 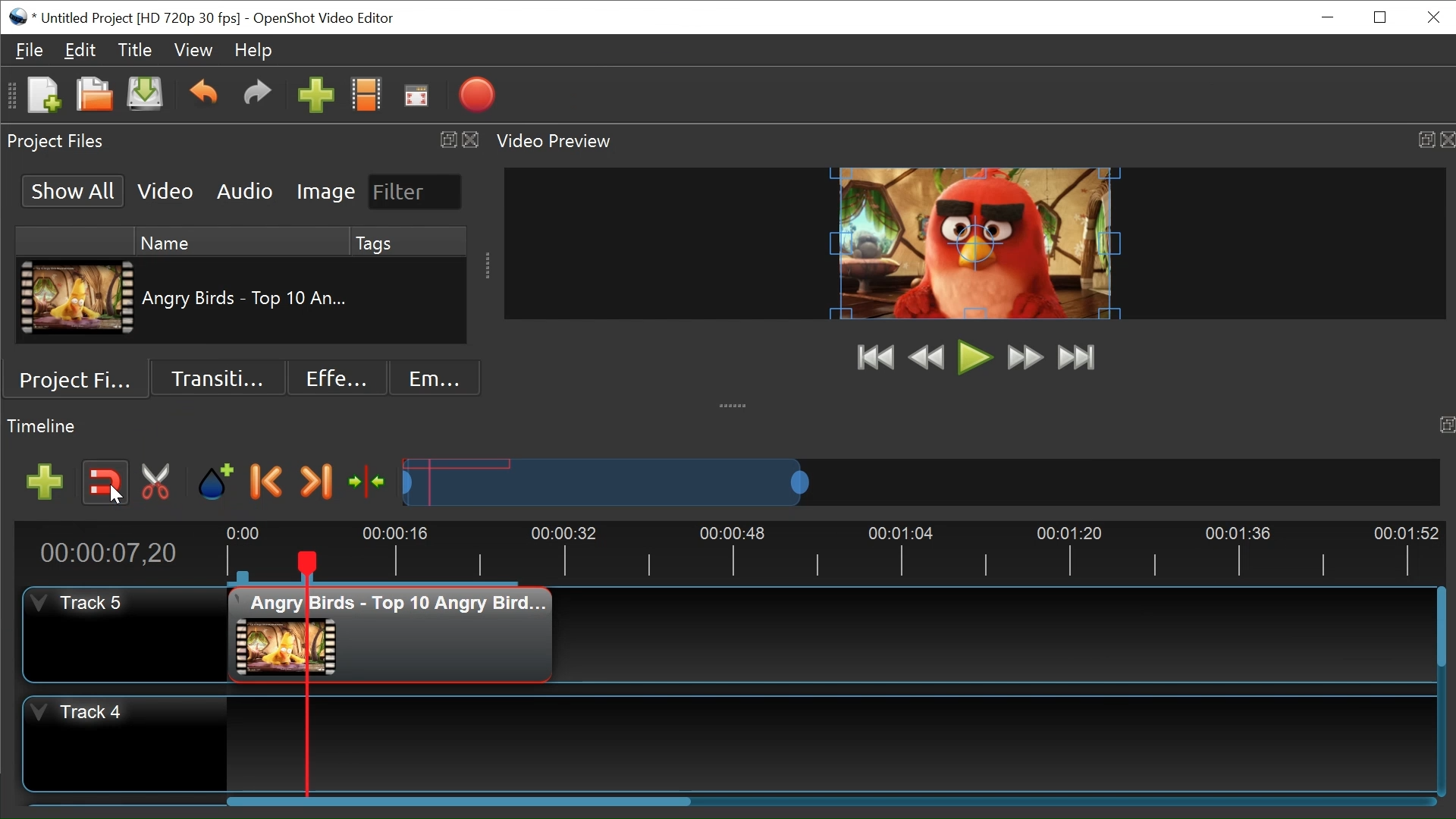 I want to click on add, so click(x=316, y=98).